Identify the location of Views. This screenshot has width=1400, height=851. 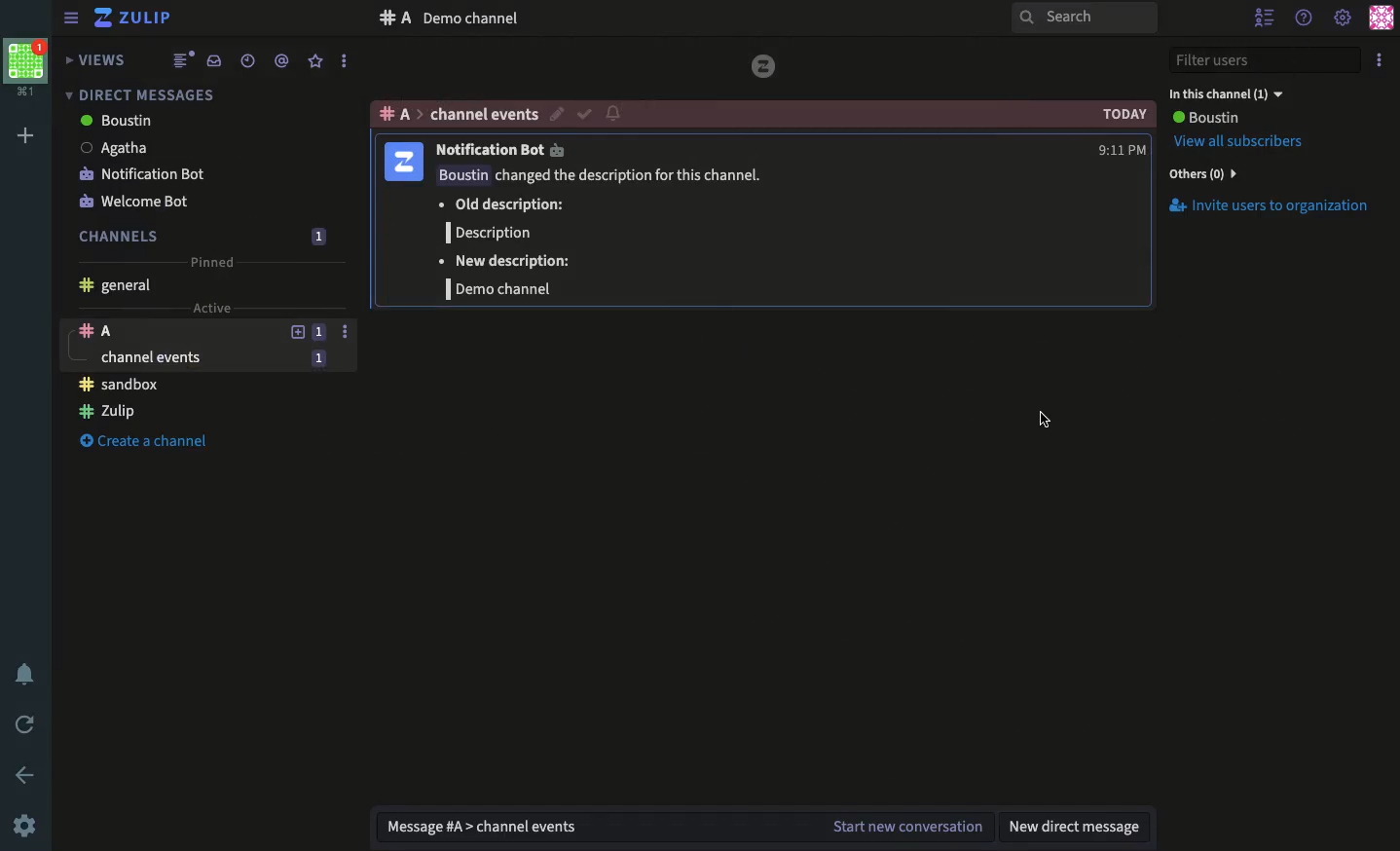
(98, 60).